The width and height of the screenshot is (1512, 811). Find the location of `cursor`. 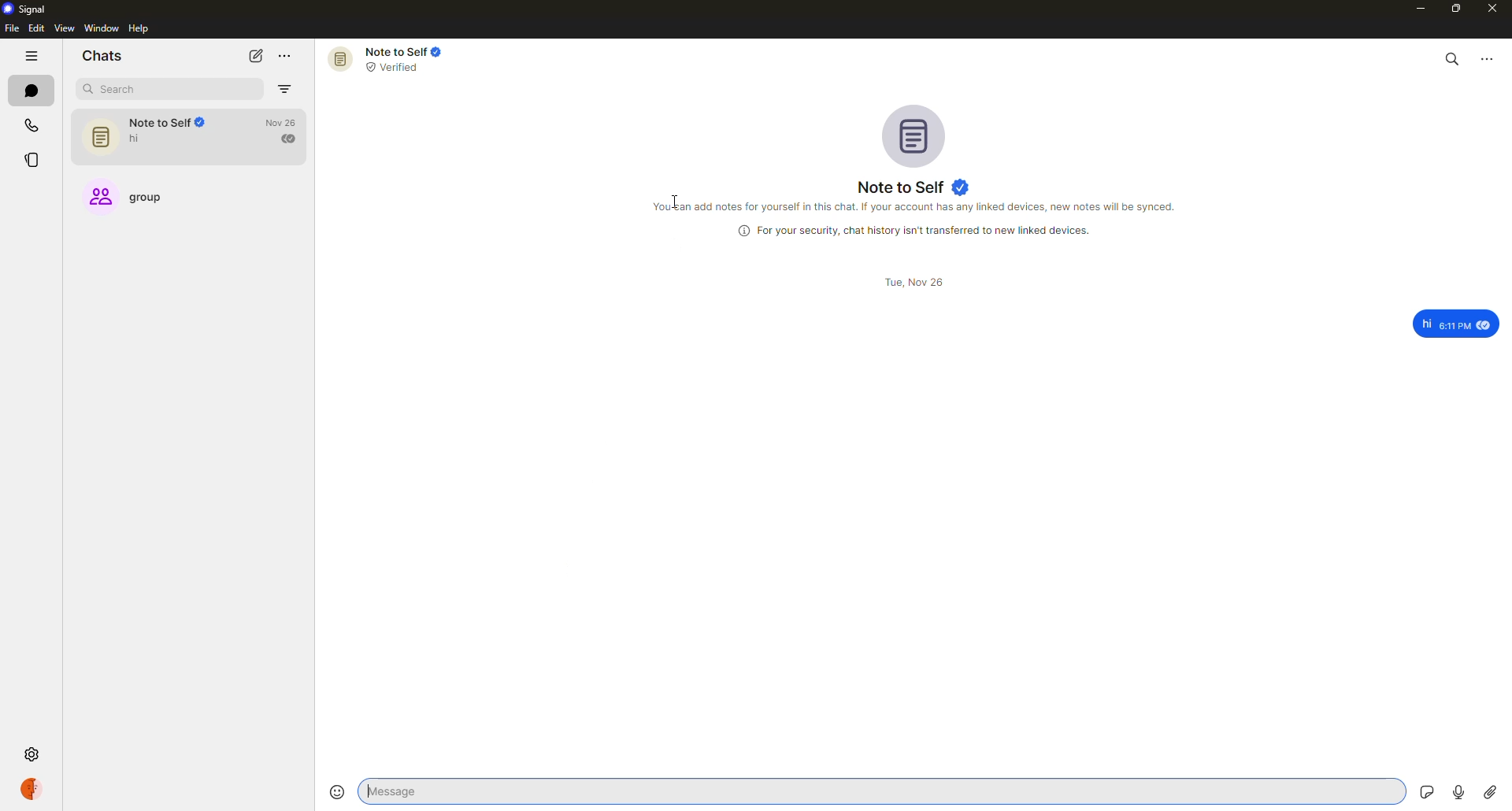

cursor is located at coordinates (669, 198).